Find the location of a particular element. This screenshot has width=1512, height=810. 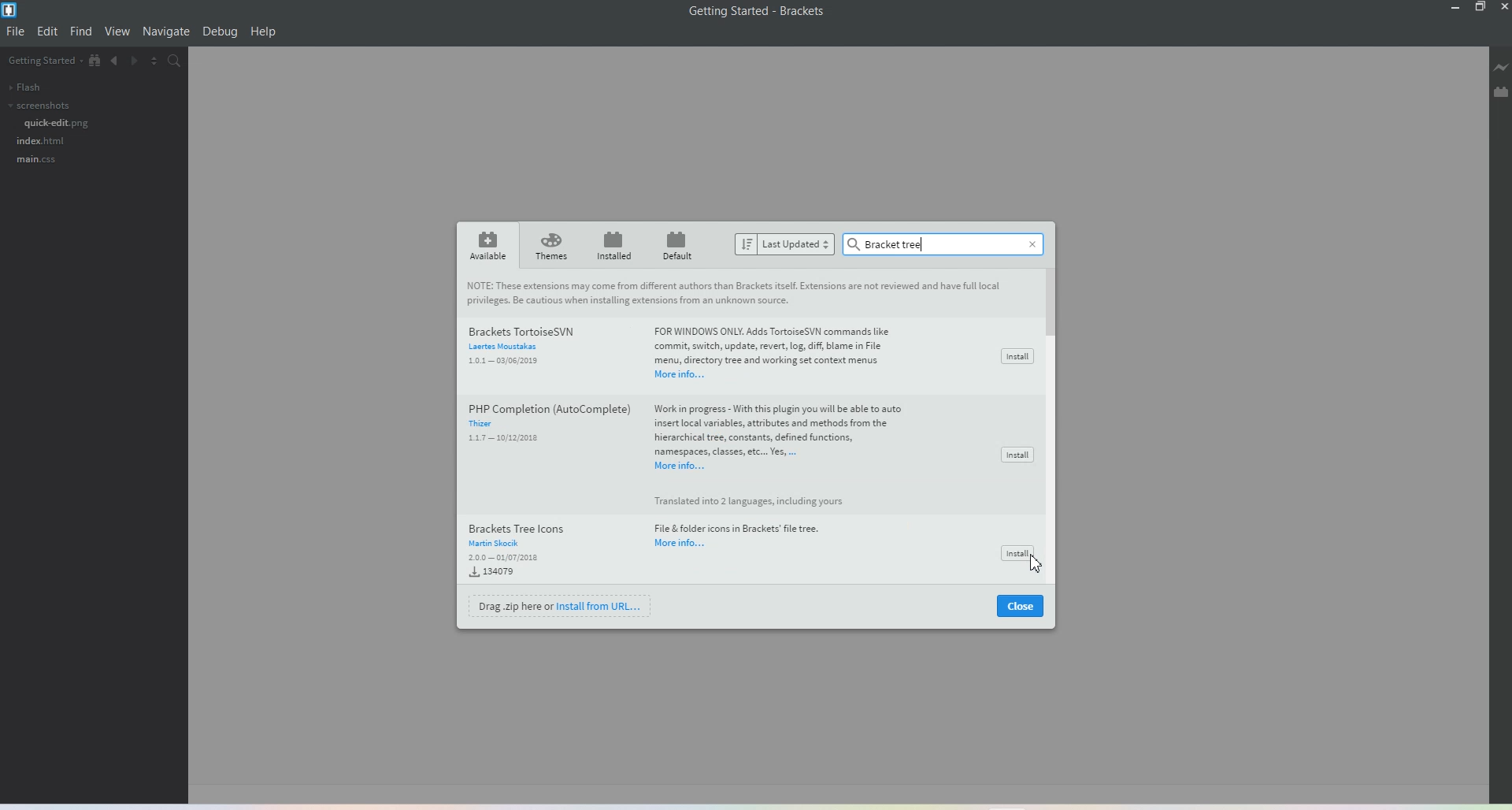

Installed is located at coordinates (614, 245).